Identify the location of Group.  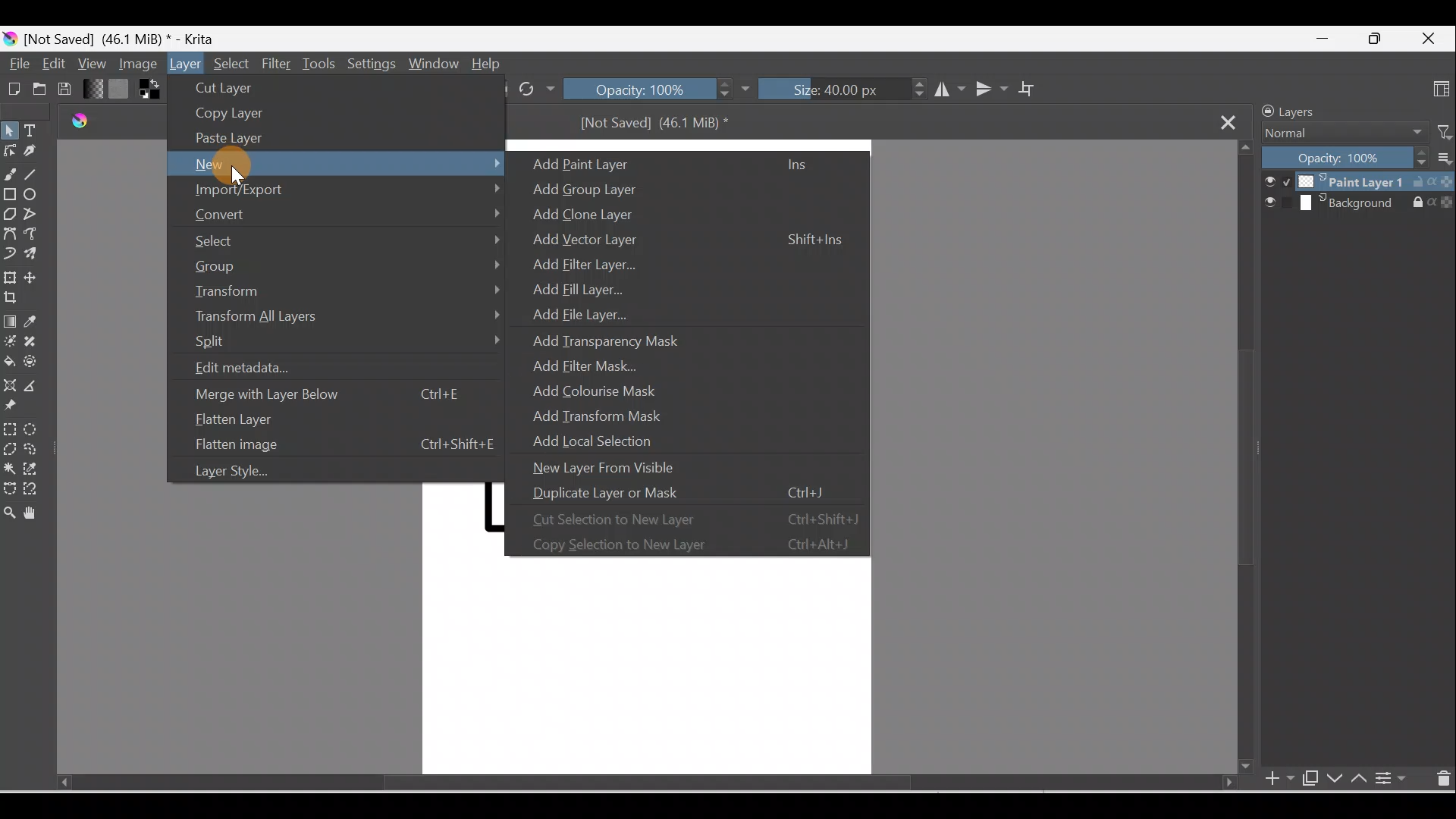
(345, 265).